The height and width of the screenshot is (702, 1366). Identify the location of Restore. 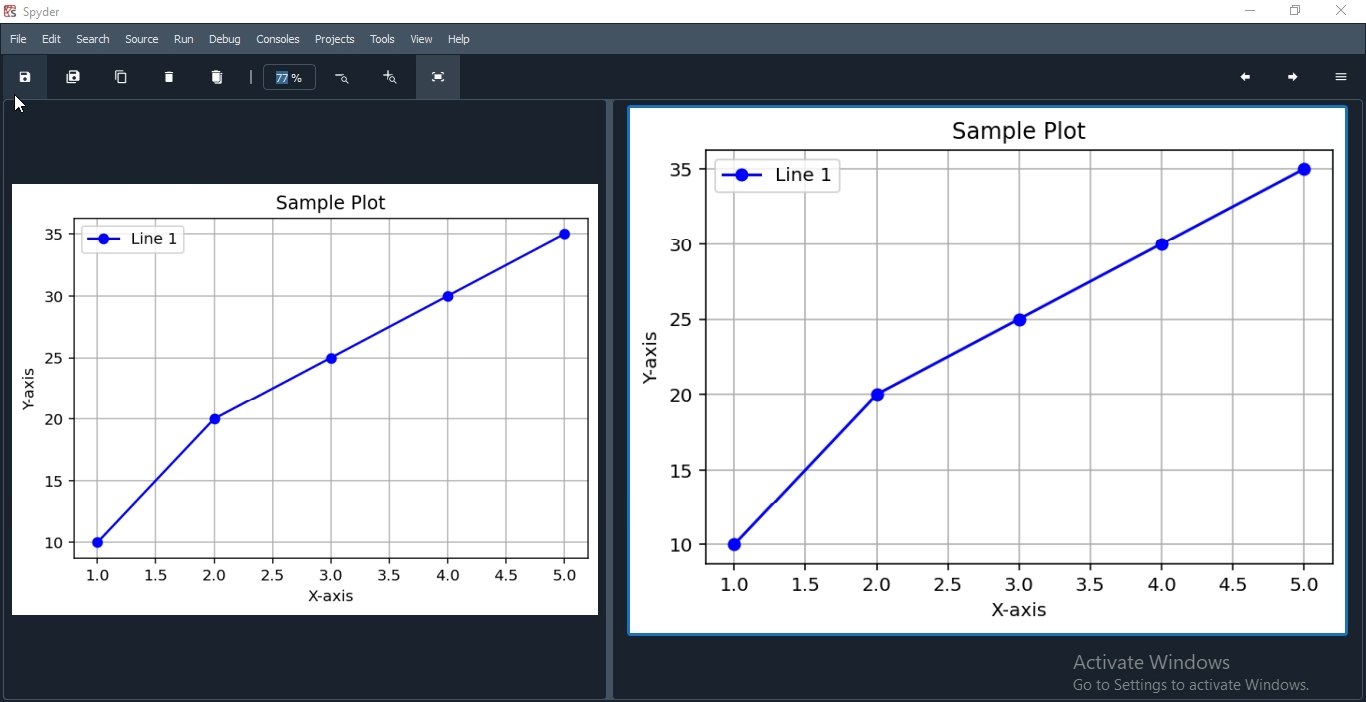
(1289, 10).